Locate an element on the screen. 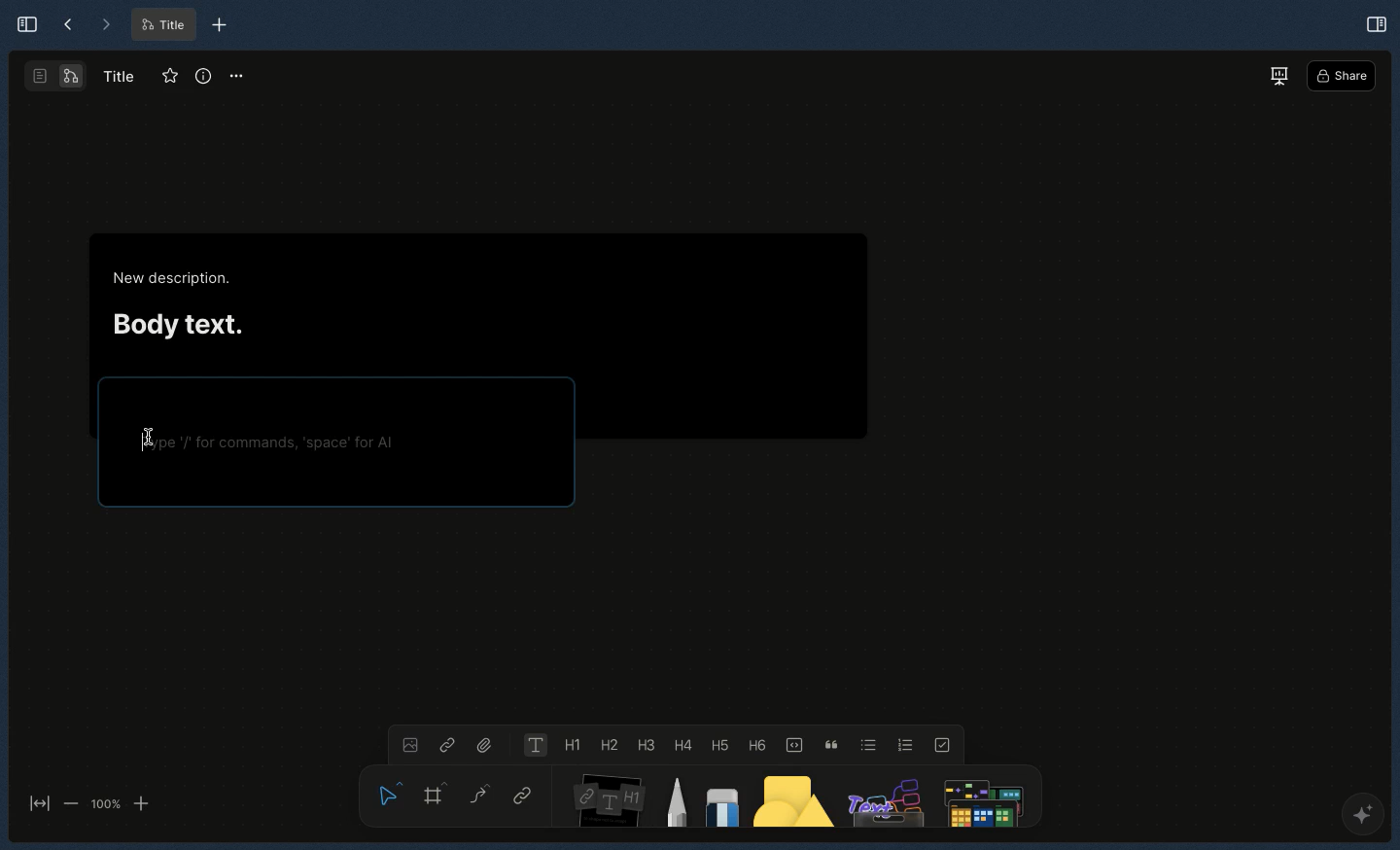  Fit to screen is located at coordinates (37, 805).